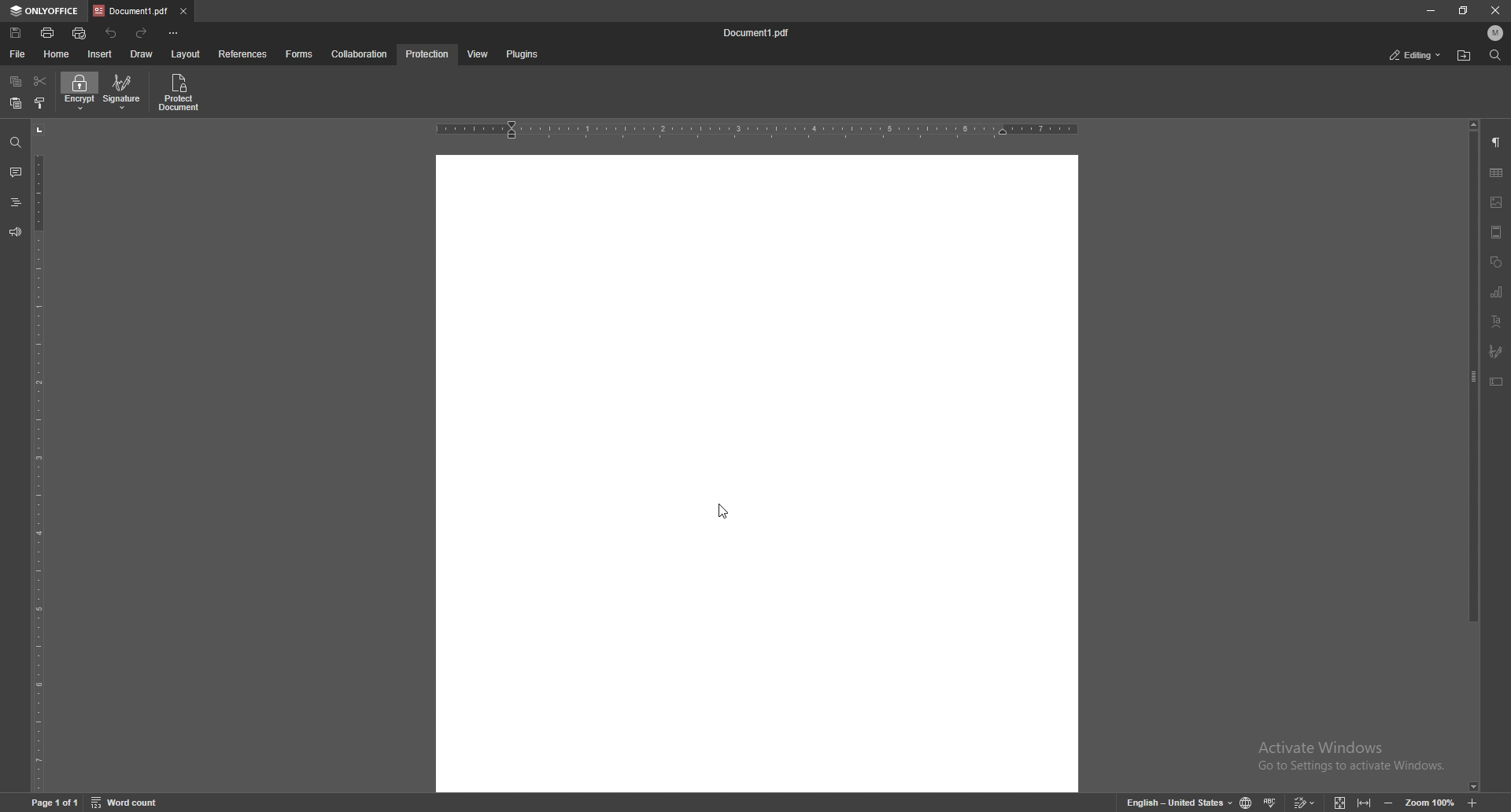 The image size is (1511, 812). Describe the element at coordinates (1416, 55) in the screenshot. I see `status` at that location.